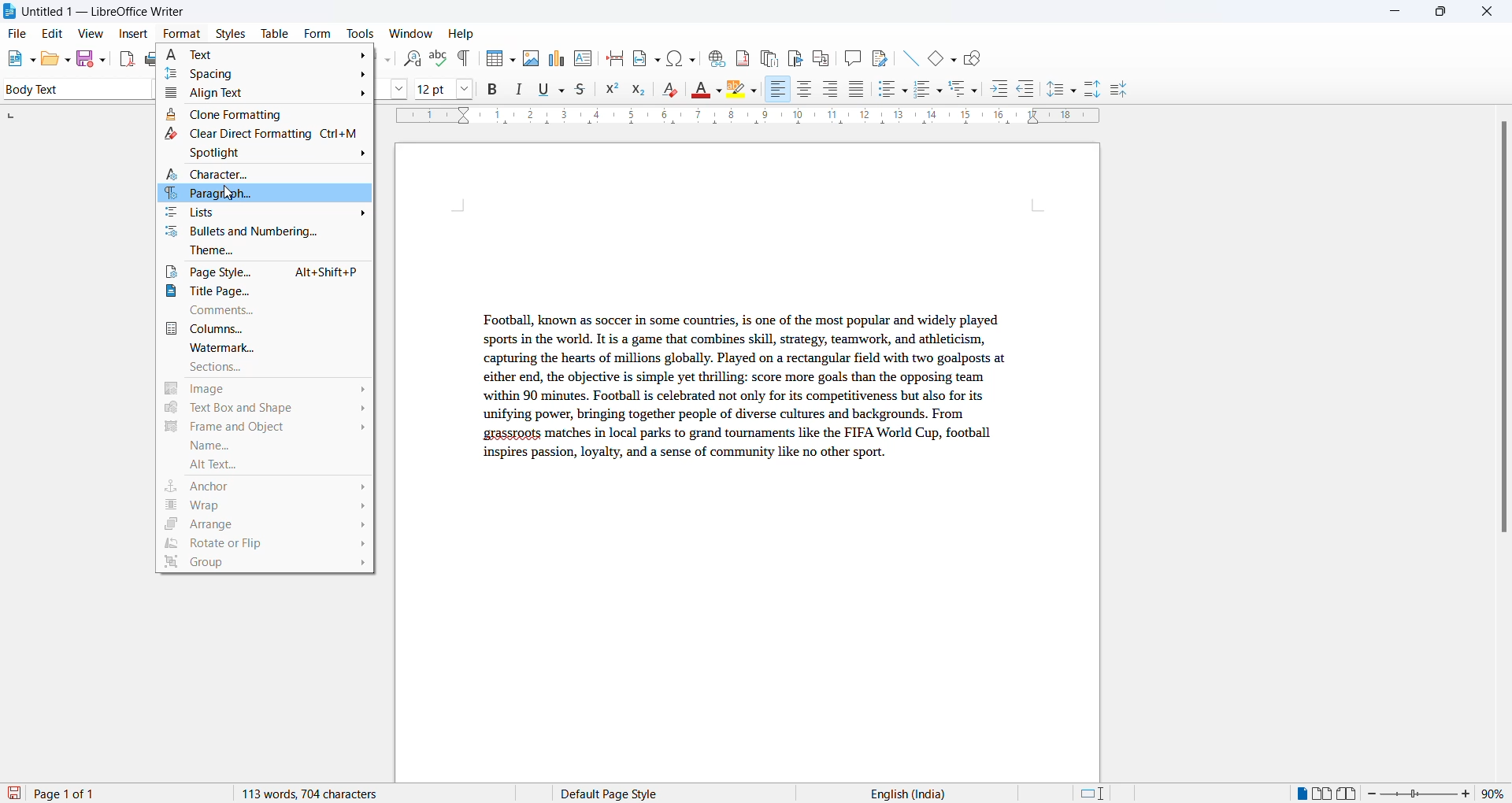  I want to click on alt text, so click(263, 467).